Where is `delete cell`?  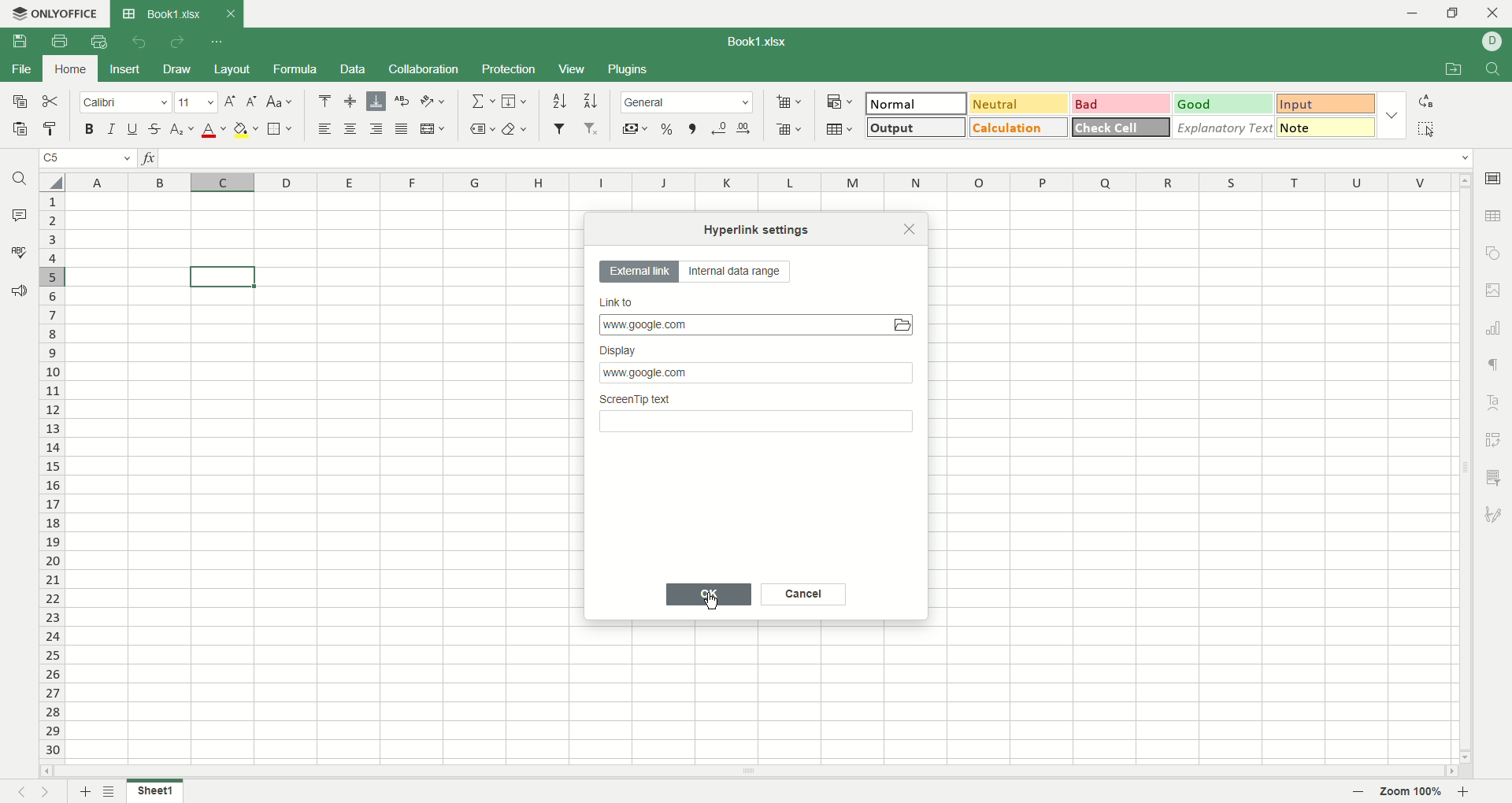 delete cell is located at coordinates (789, 131).